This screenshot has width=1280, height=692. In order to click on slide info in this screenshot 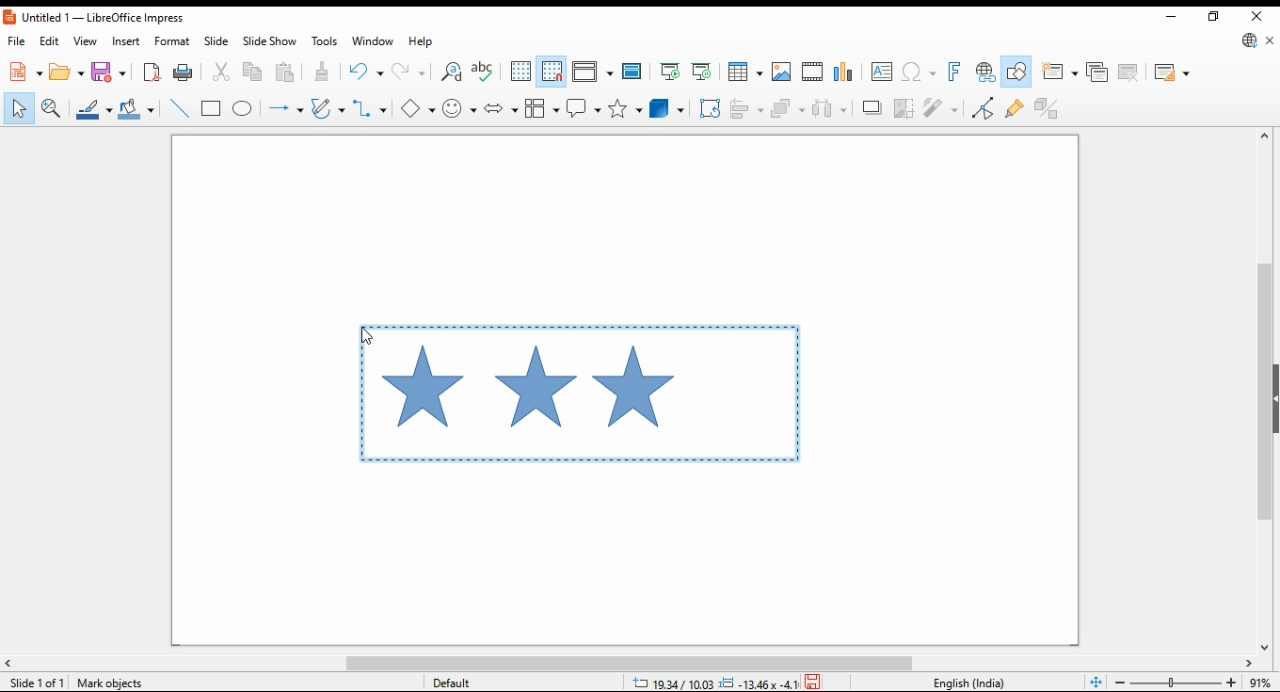, I will do `click(40, 680)`.